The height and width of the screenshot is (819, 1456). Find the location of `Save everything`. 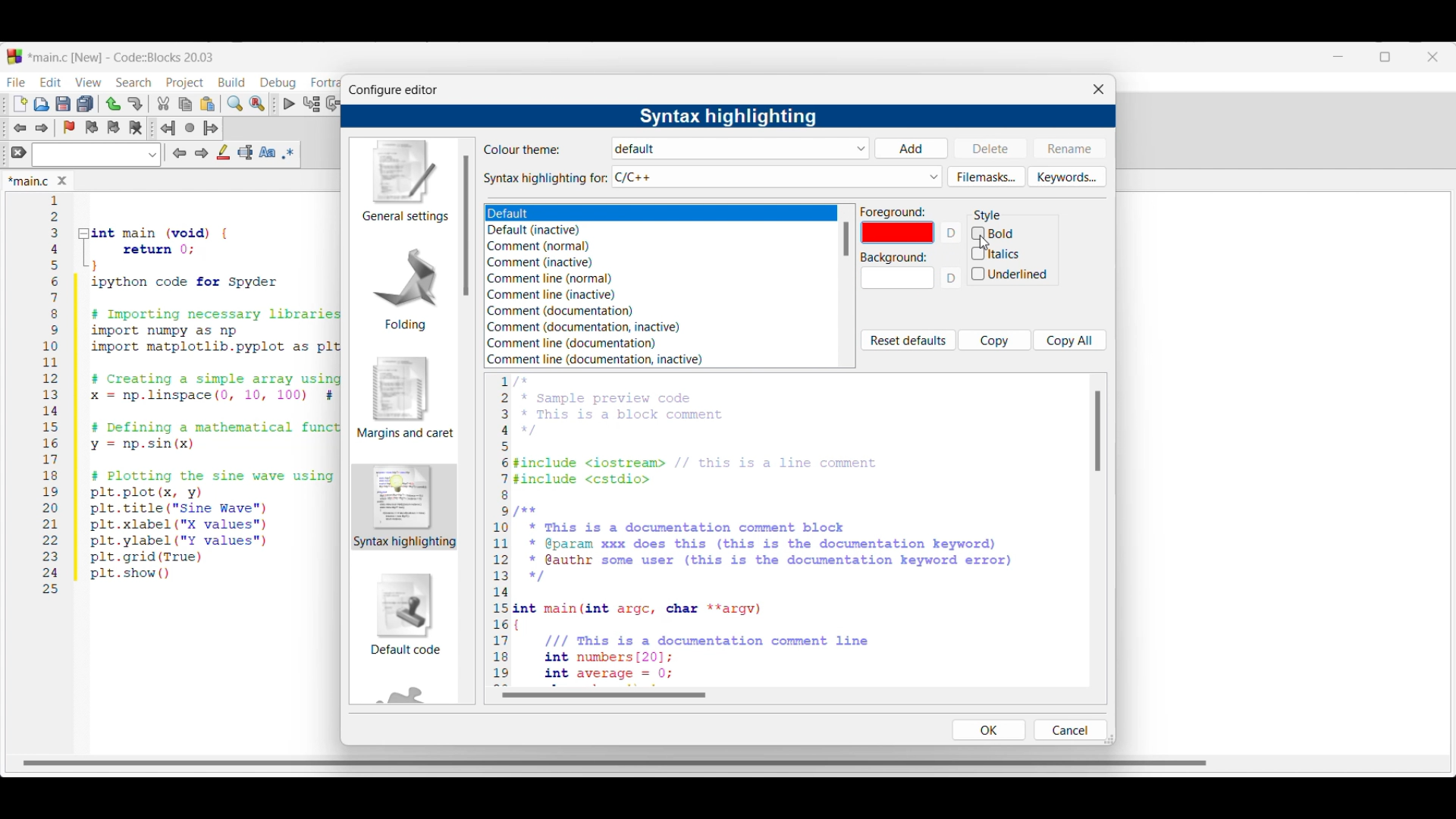

Save everything is located at coordinates (85, 103).